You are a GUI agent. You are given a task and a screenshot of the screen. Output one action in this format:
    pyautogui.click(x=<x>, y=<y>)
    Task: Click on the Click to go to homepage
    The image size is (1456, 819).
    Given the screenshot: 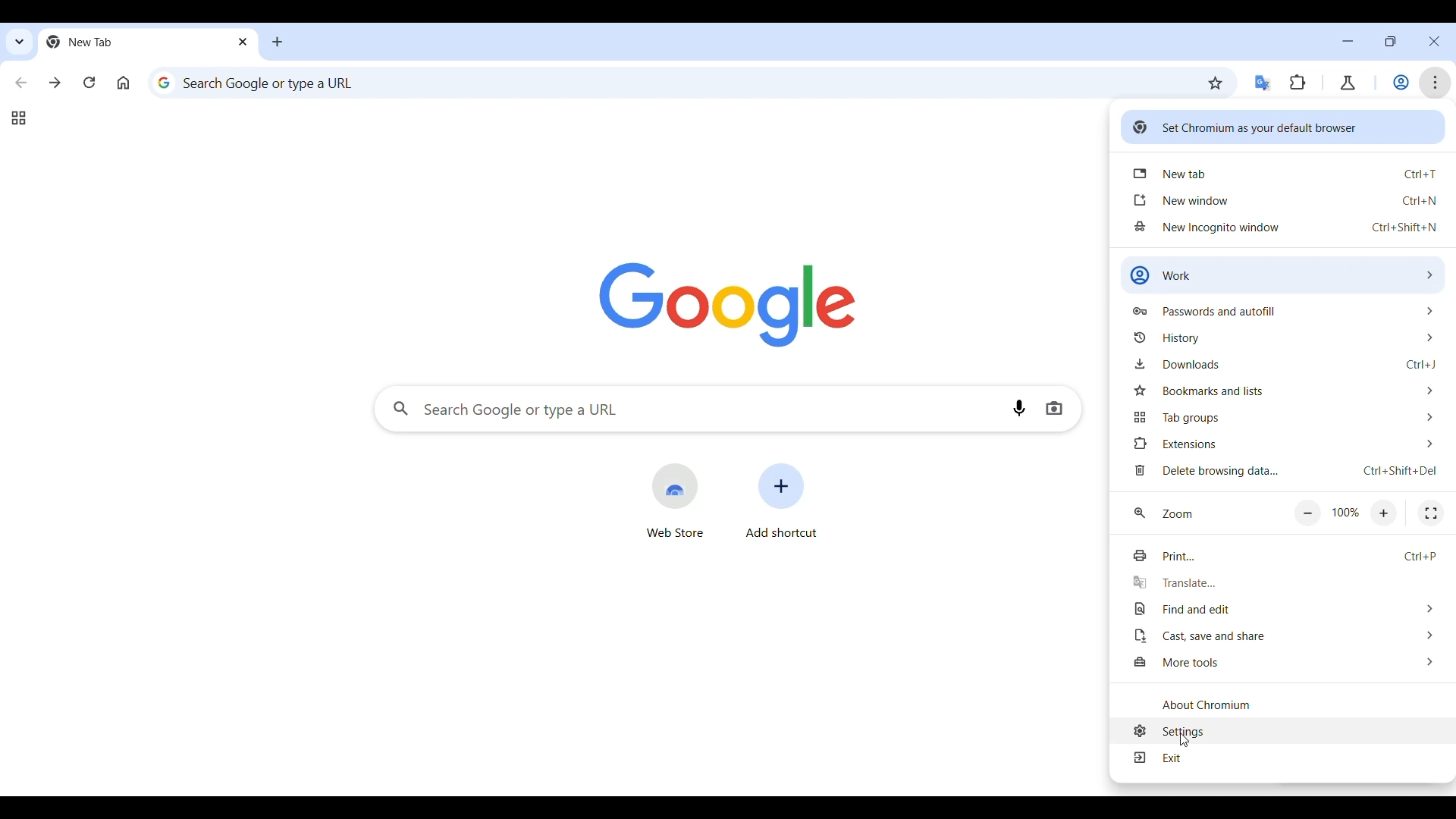 What is the action you would take?
    pyautogui.click(x=124, y=83)
    